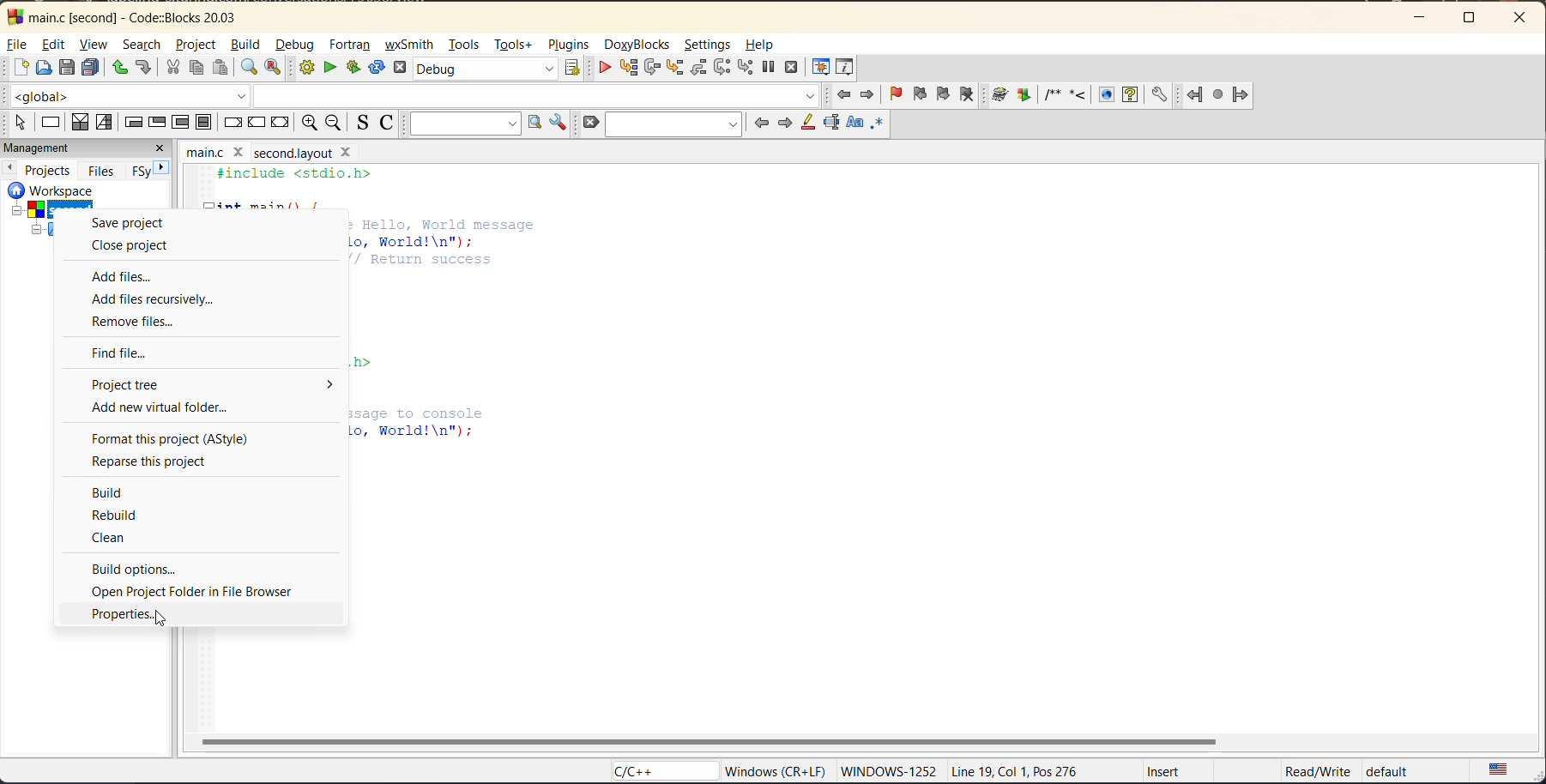 The width and height of the screenshot is (1546, 784). Describe the element at coordinates (62, 69) in the screenshot. I see `save` at that location.